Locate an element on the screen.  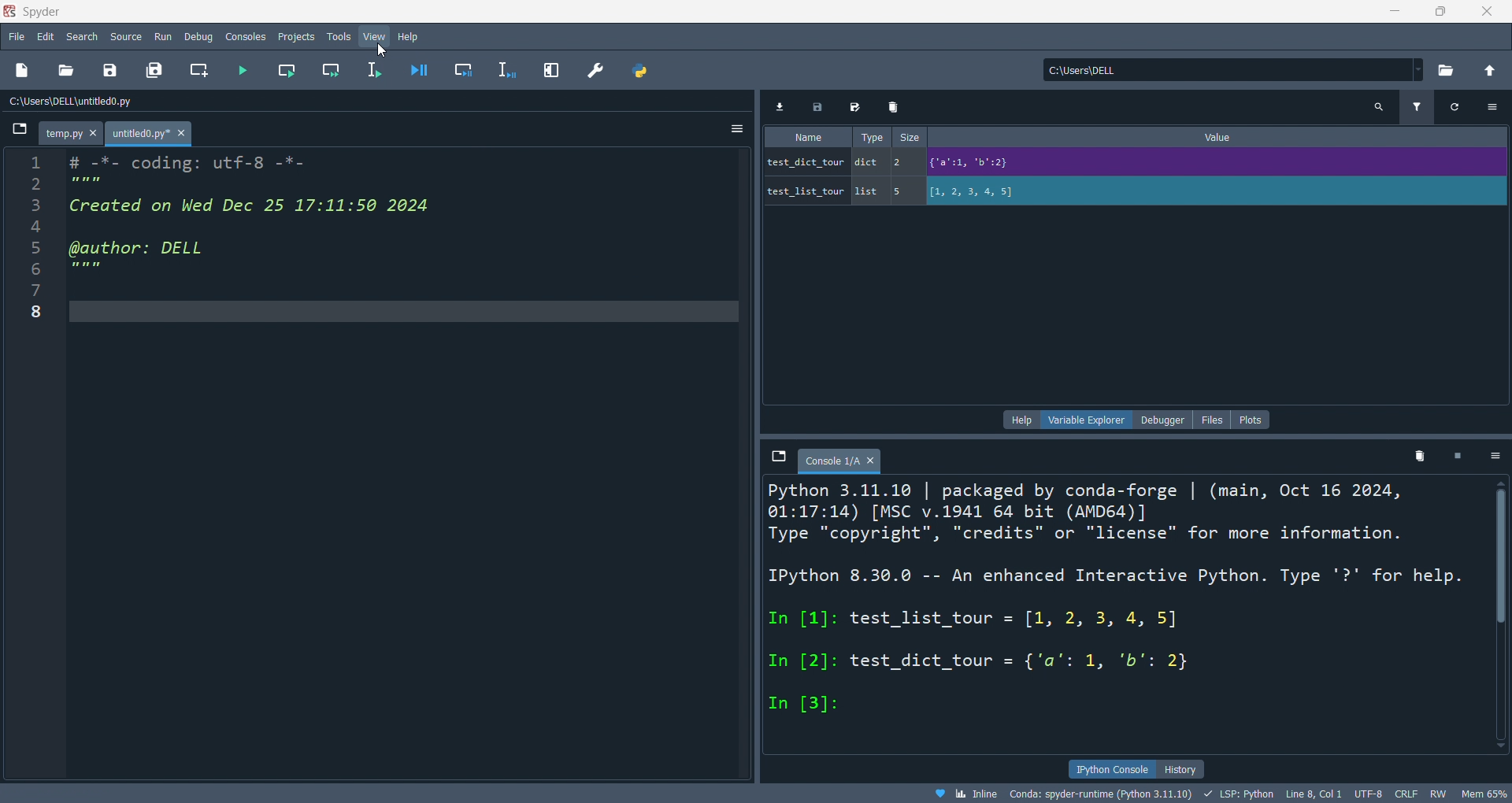
vertical scrollbar is located at coordinates (1498, 614).